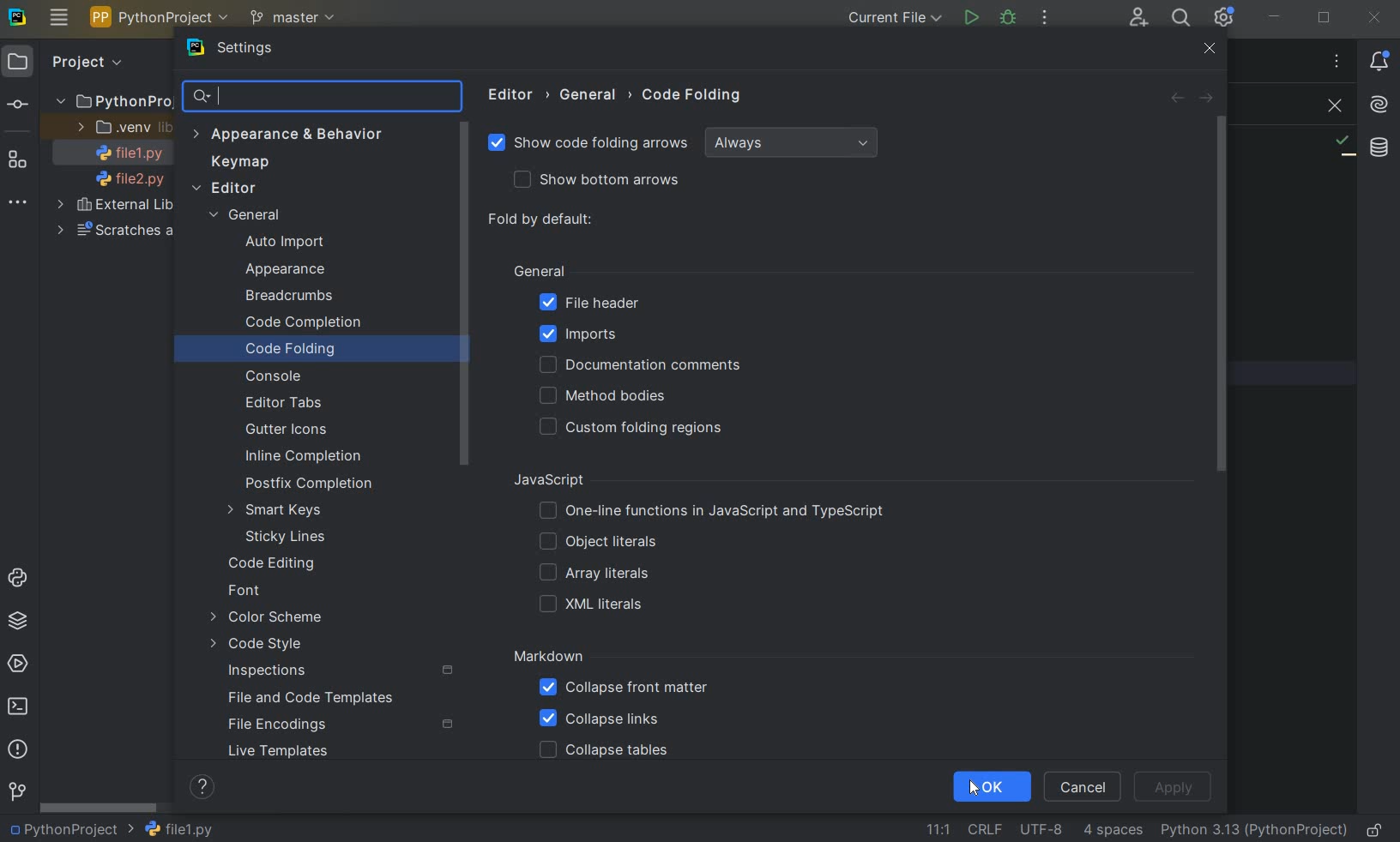 This screenshot has width=1400, height=842. Describe the element at coordinates (303, 323) in the screenshot. I see `CODE COMPLETION` at that location.